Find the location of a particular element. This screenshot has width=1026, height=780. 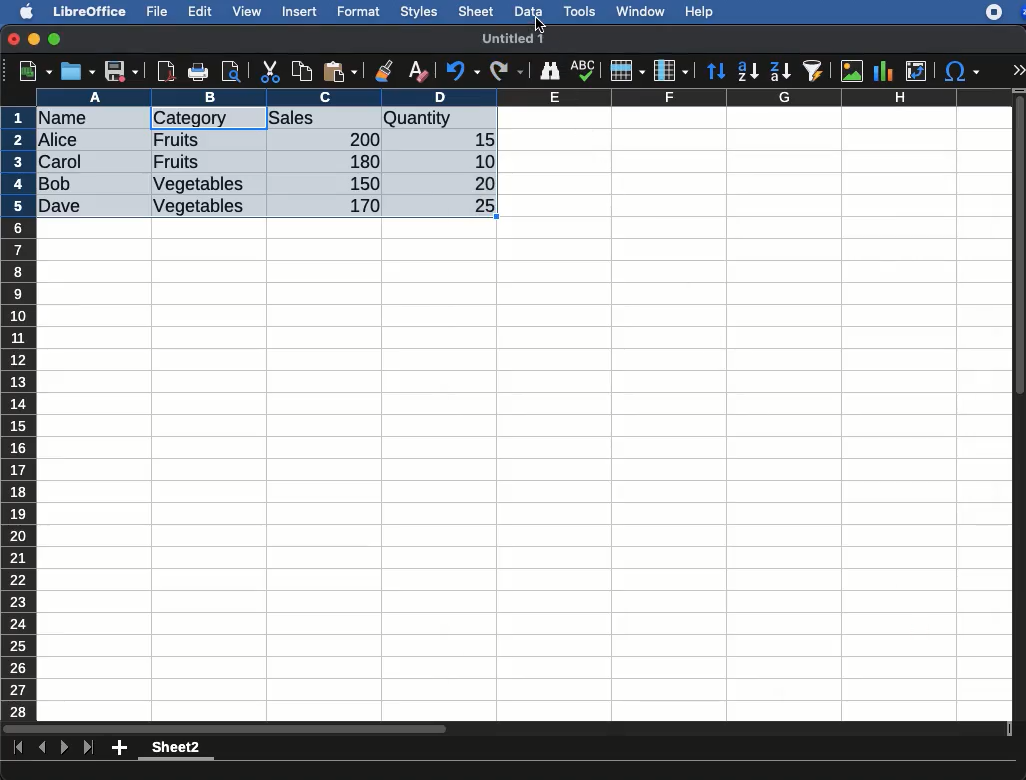

category is located at coordinates (190, 119).